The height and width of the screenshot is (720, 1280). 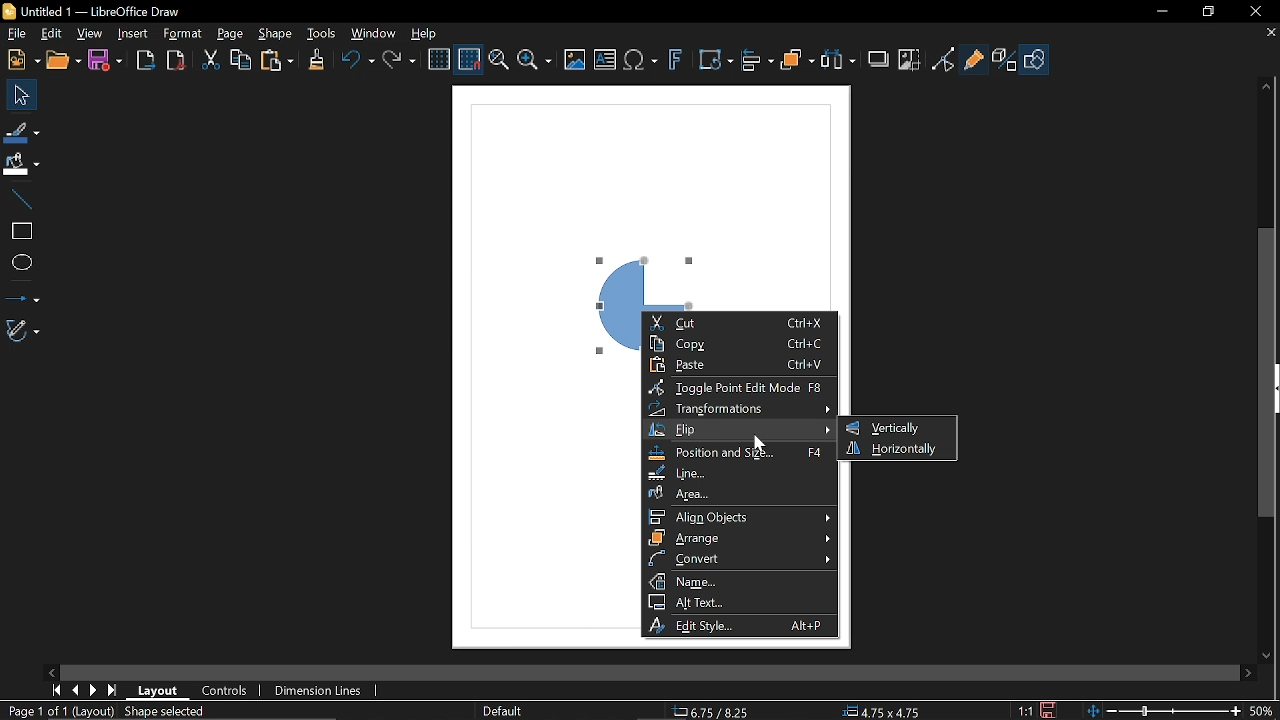 I want to click on Copy  Ctrl+C, so click(x=735, y=344).